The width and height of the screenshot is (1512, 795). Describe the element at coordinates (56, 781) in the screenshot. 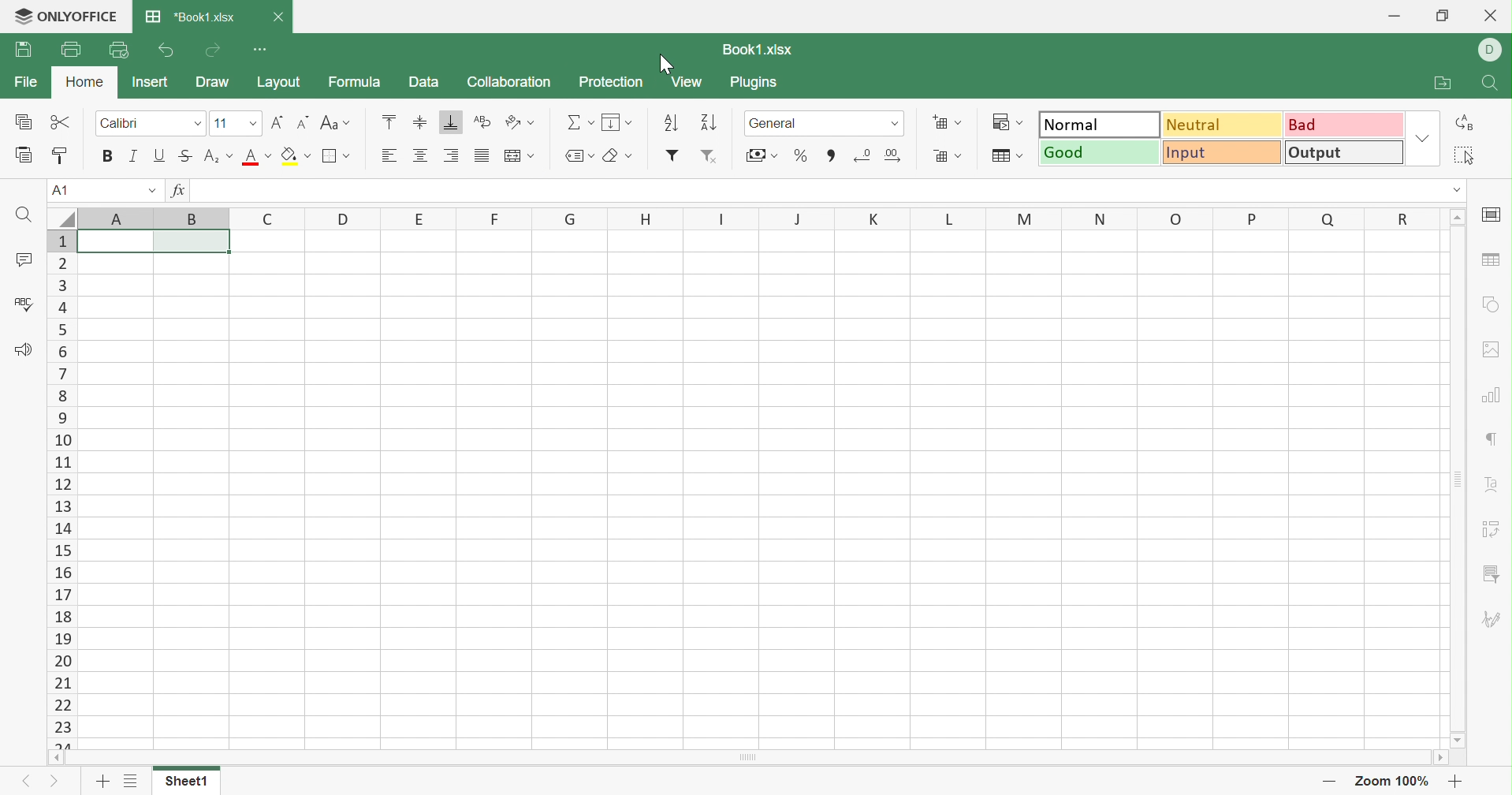

I see `Next` at that location.